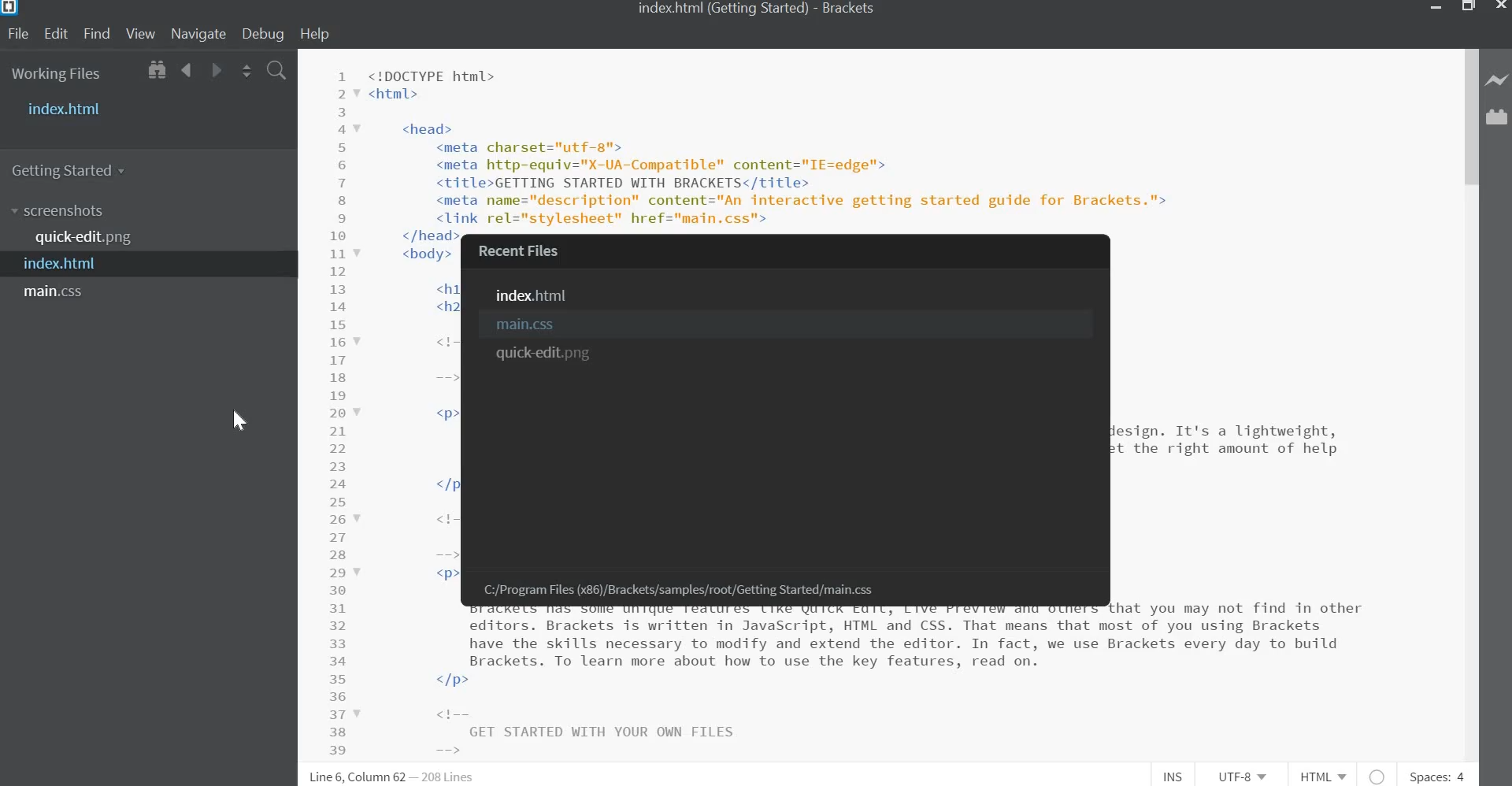 The width and height of the screenshot is (1512, 786). What do you see at coordinates (1470, 118) in the screenshot?
I see `Vertical Scroll bar` at bounding box center [1470, 118].